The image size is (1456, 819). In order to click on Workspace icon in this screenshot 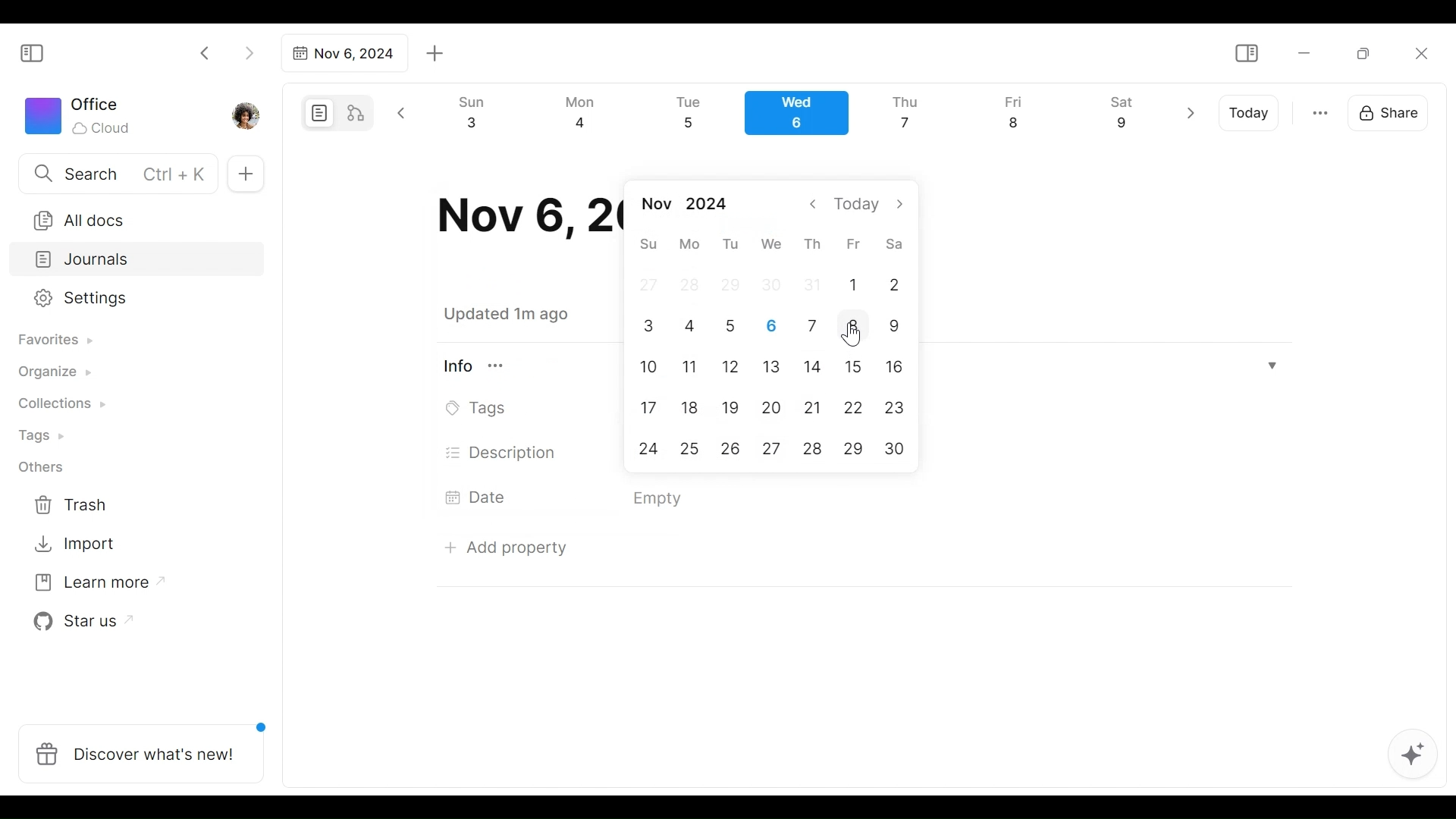, I will do `click(80, 114)`.